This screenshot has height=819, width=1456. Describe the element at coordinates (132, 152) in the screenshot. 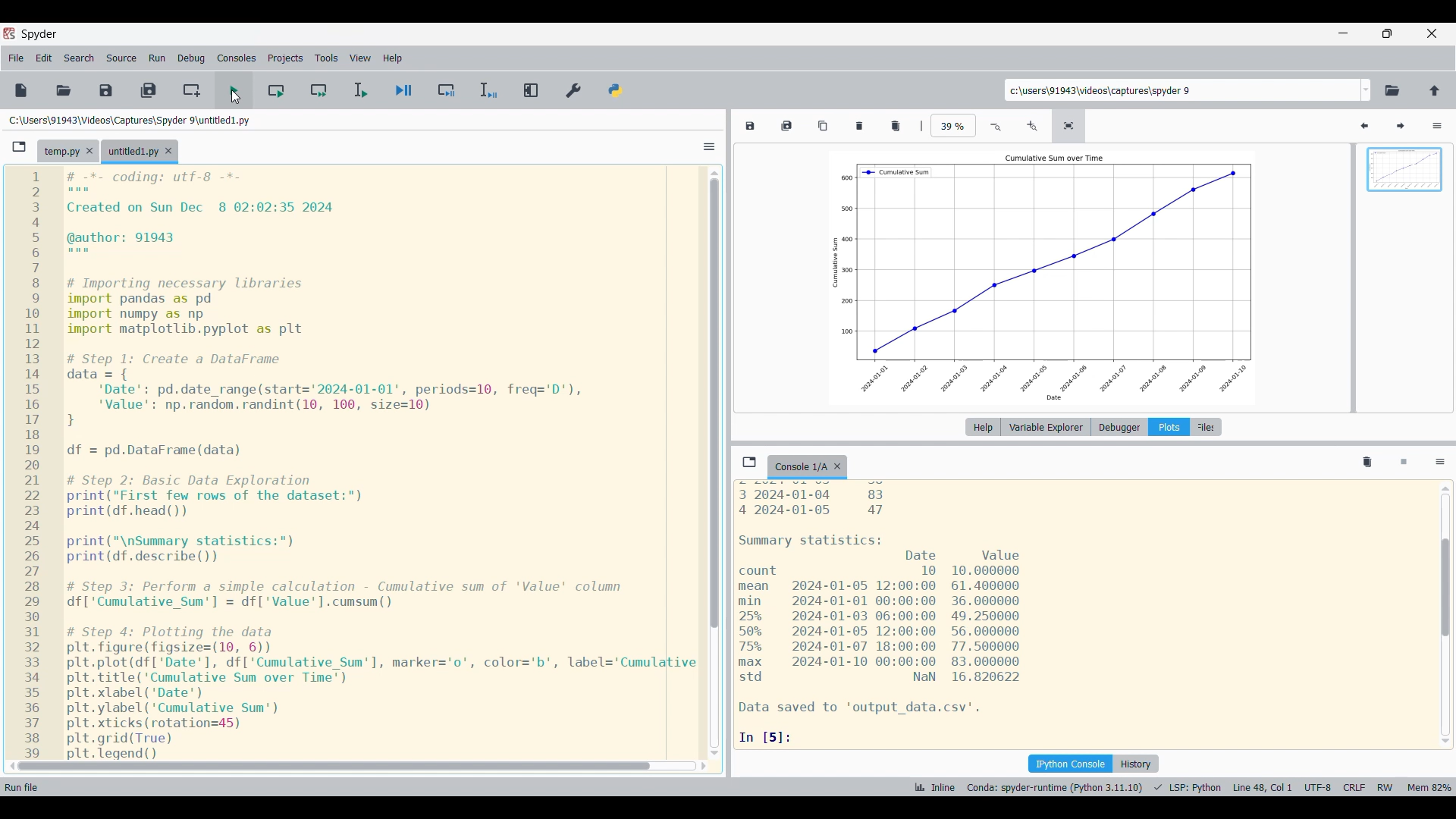

I see `Tab for new file highlighted as current selection` at that location.